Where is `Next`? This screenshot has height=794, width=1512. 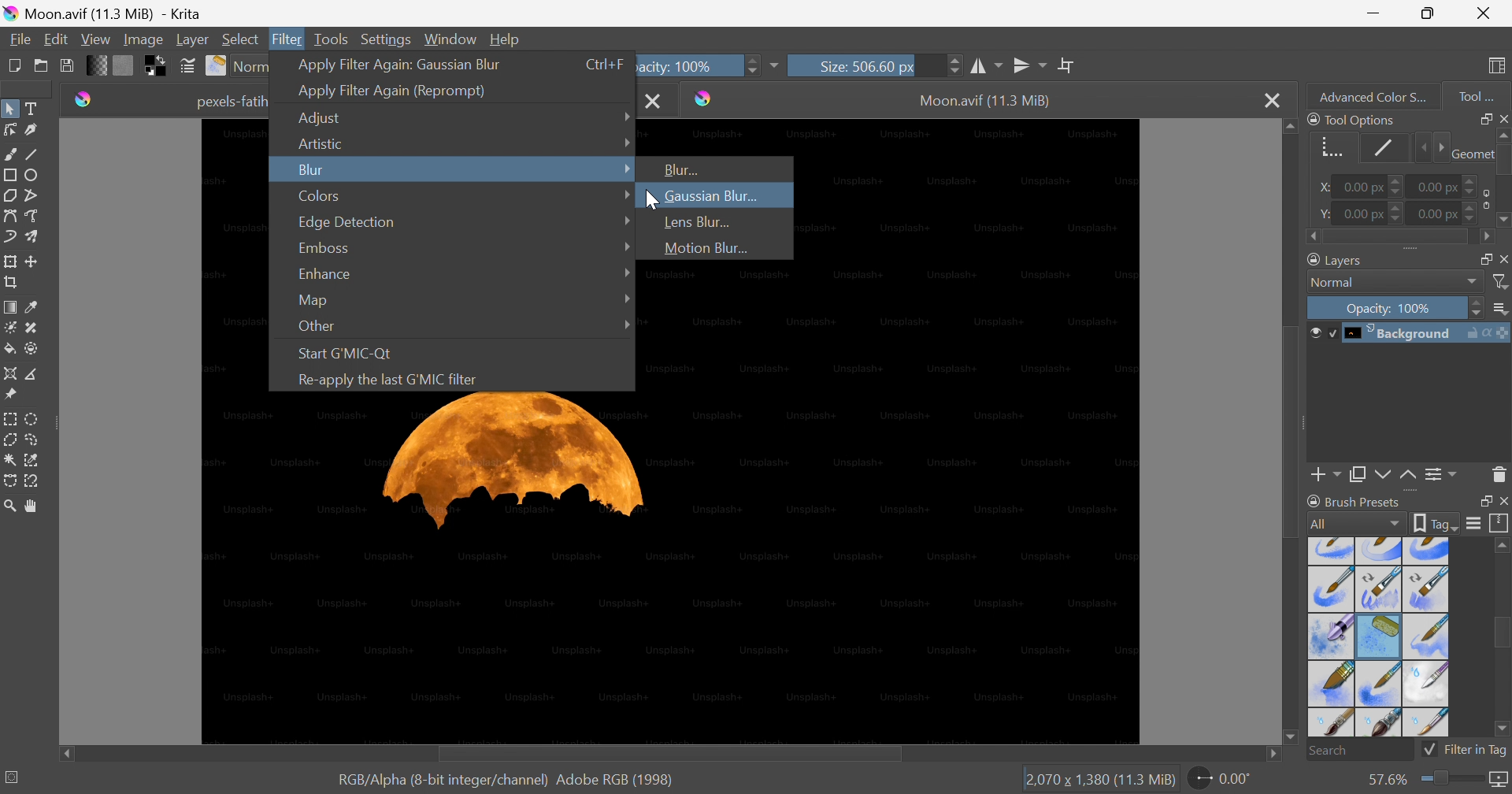 Next is located at coordinates (1438, 147).